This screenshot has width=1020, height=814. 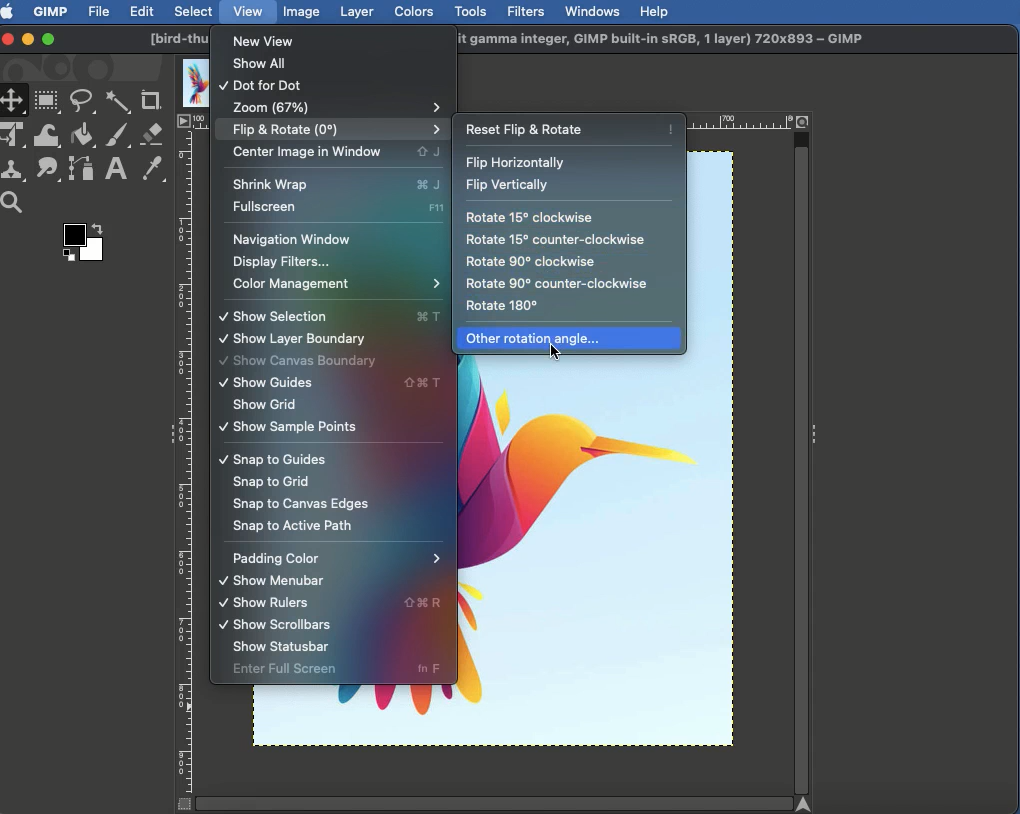 I want to click on Snap to canvas edges, so click(x=299, y=505).